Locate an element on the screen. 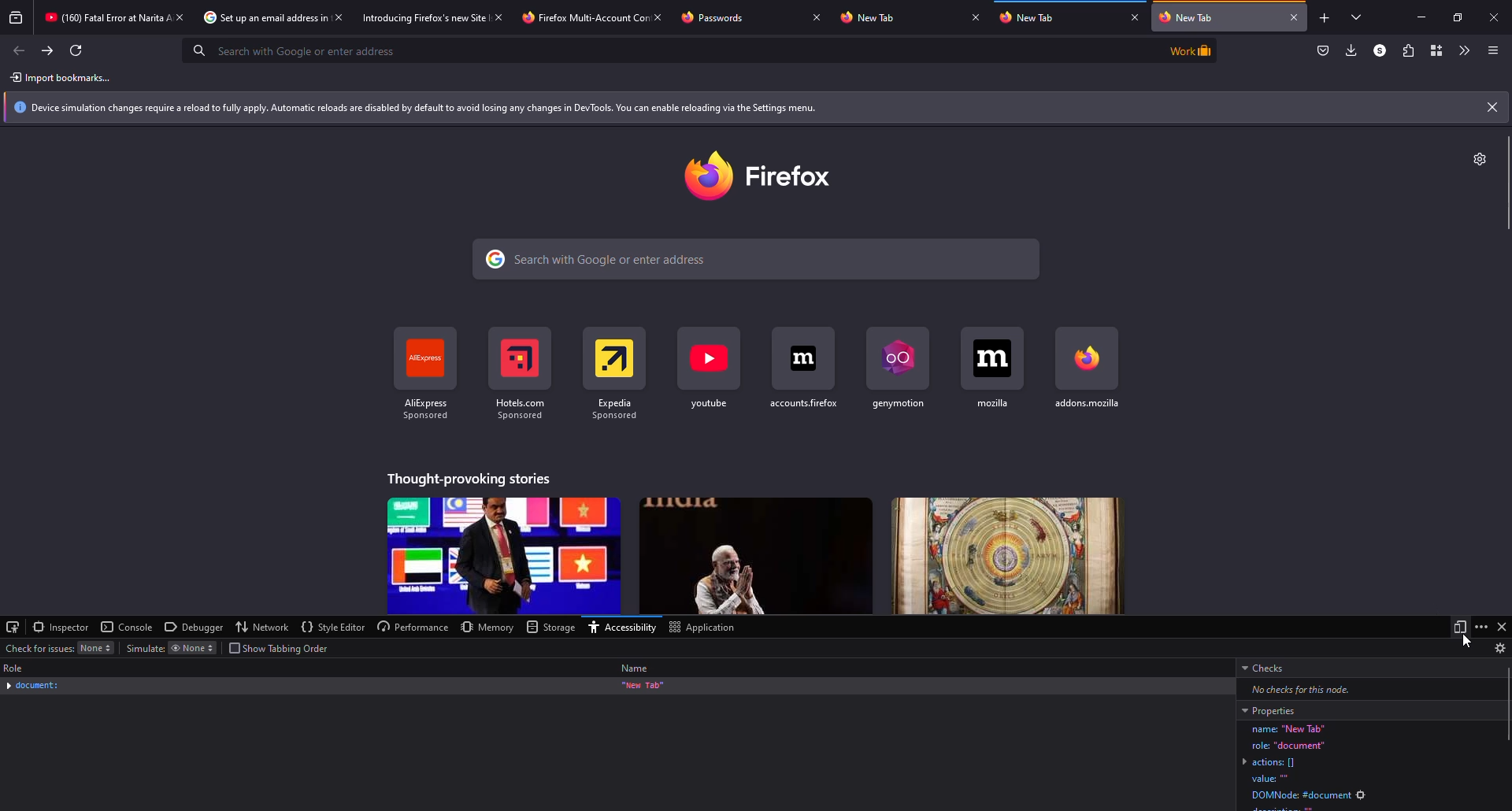 Image resolution: width=1512 pixels, height=811 pixels. style editor is located at coordinates (334, 627).